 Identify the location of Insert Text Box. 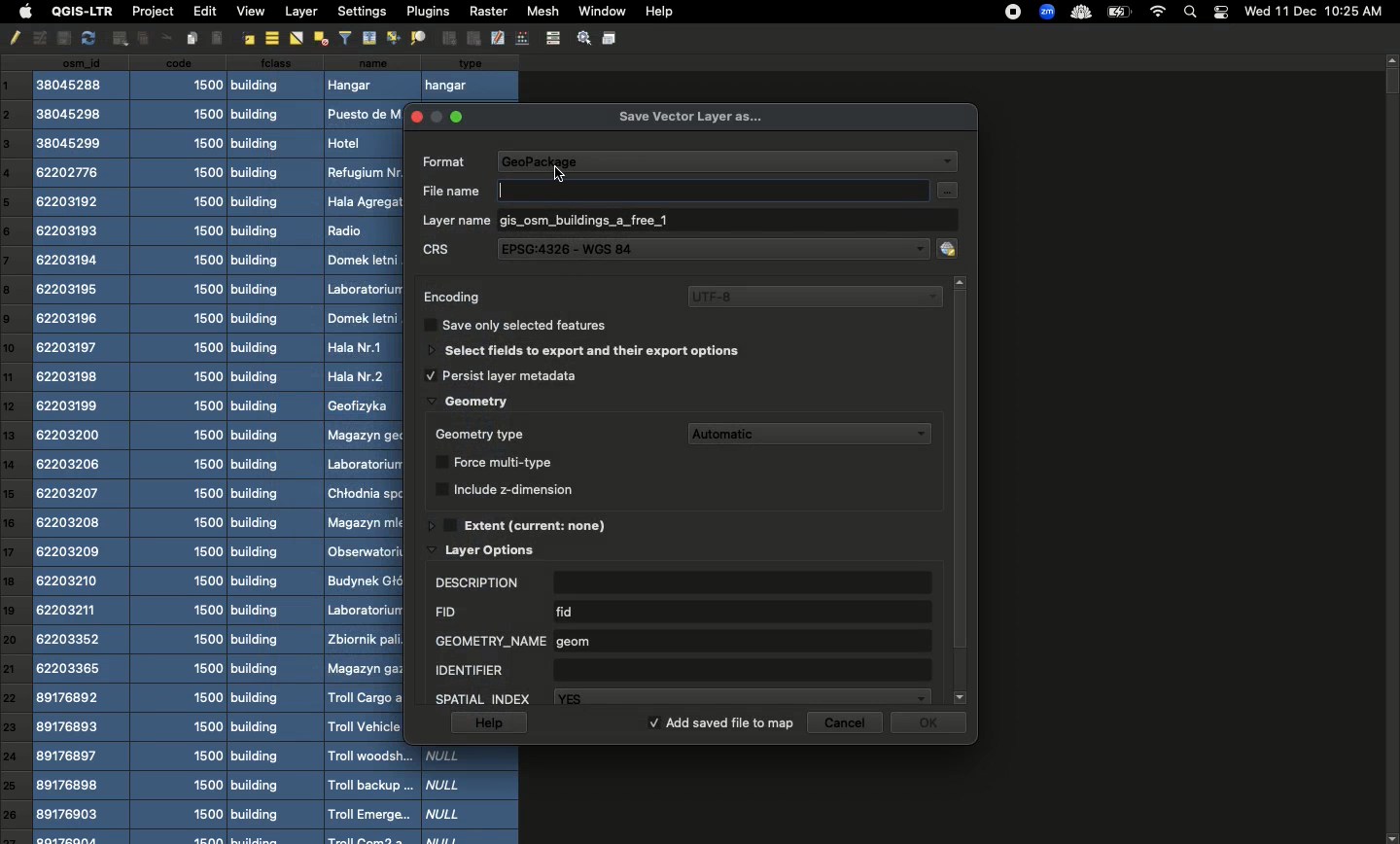
(139, 39).